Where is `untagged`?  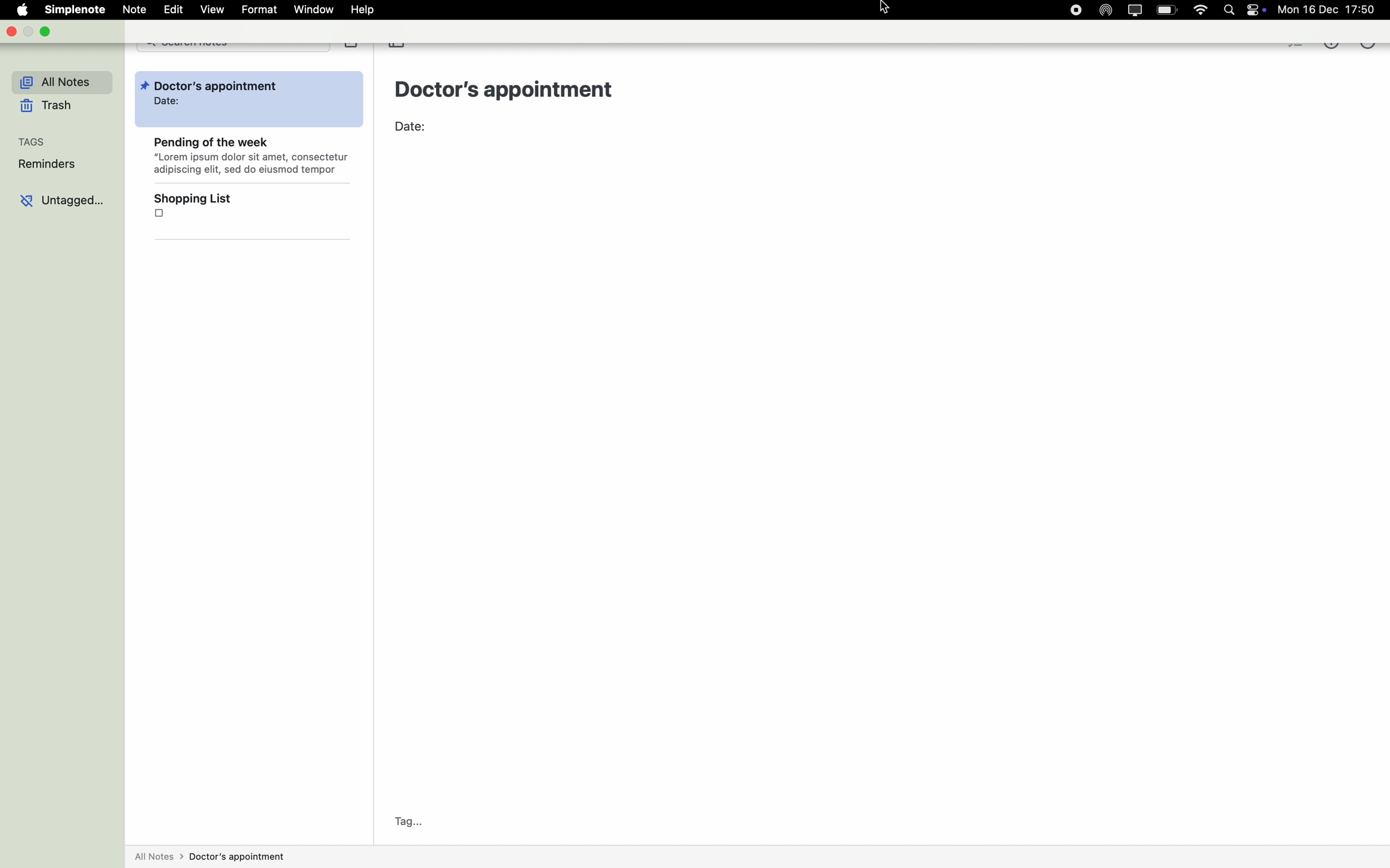
untagged is located at coordinates (61, 203).